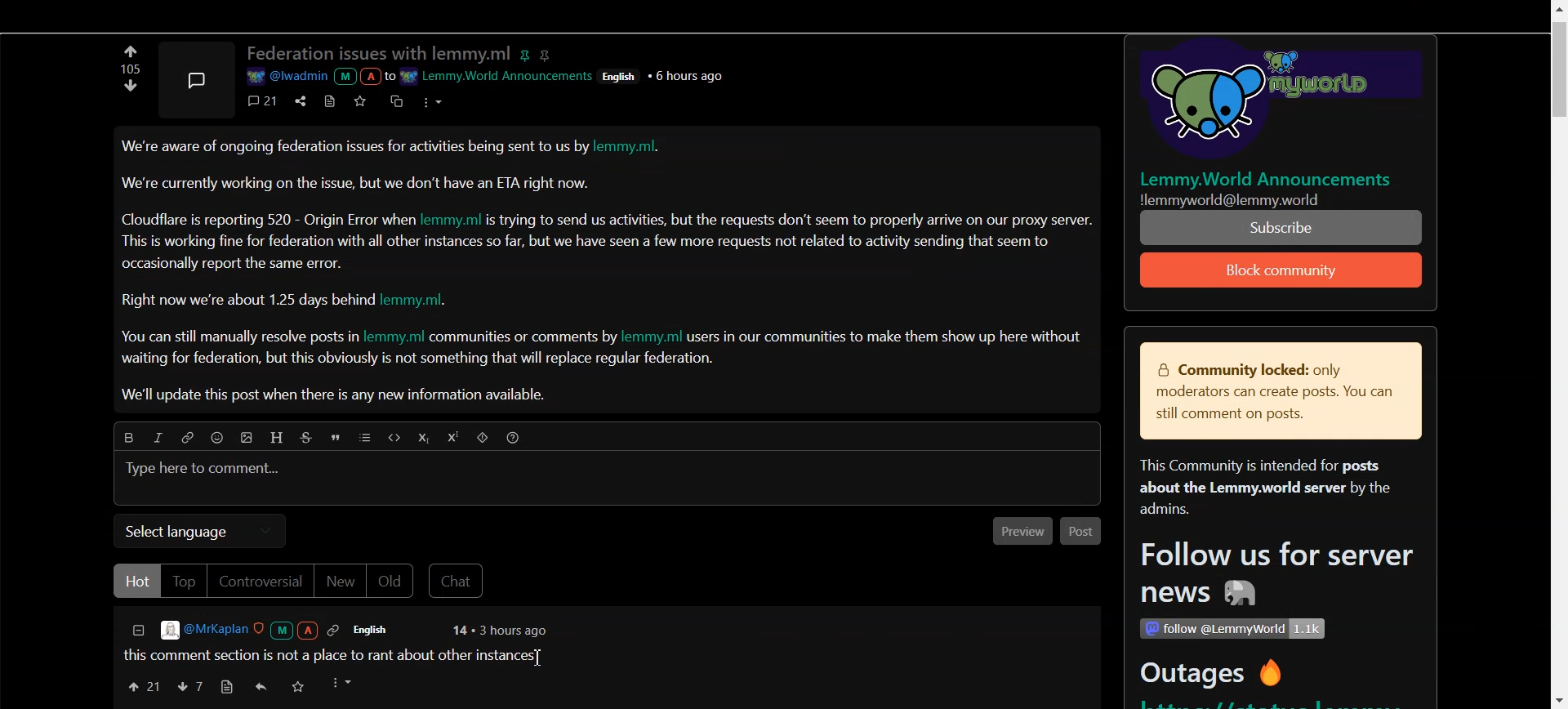 The image size is (1568, 709). What do you see at coordinates (1018, 533) in the screenshot?
I see `Preview` at bounding box center [1018, 533].